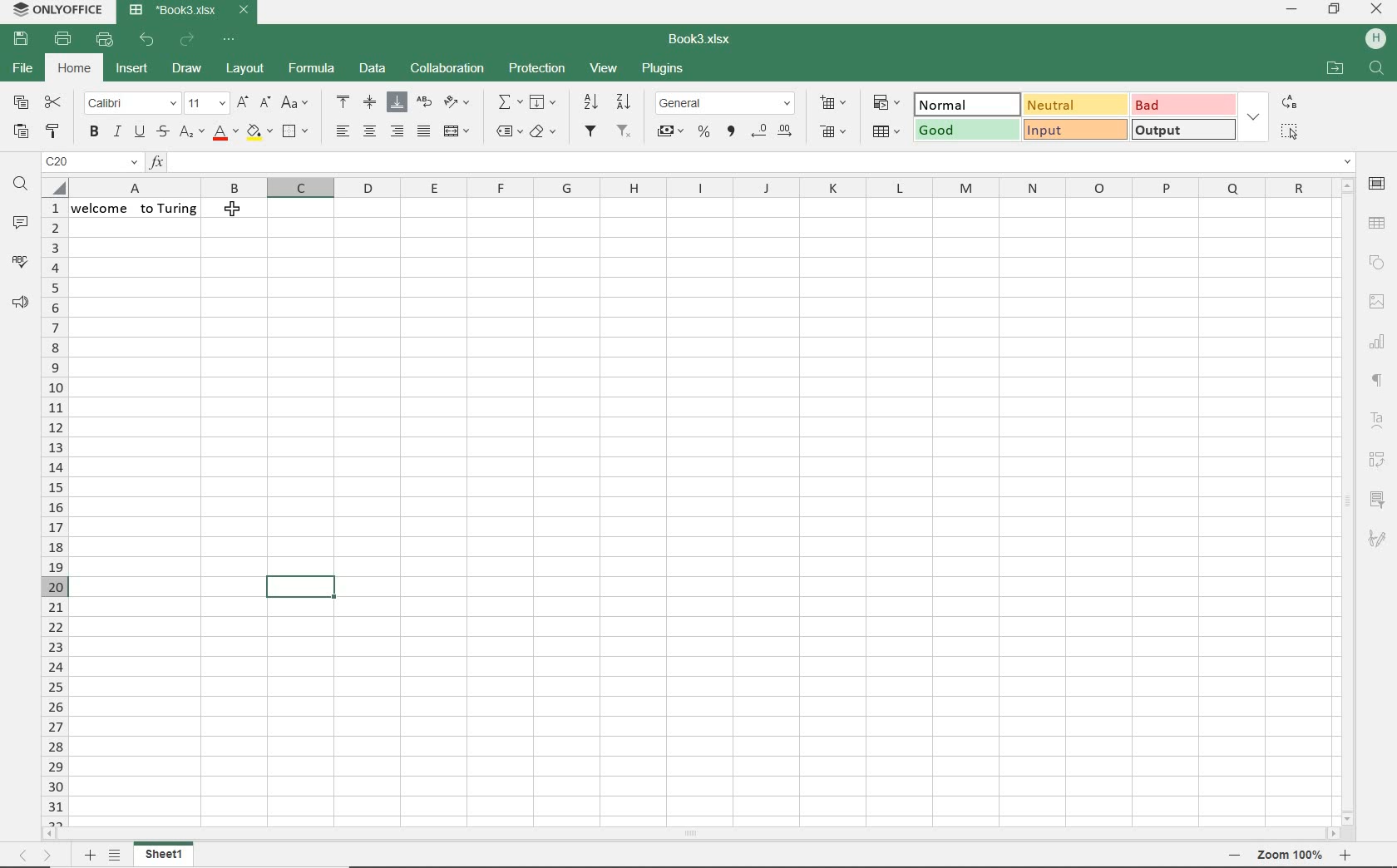  Describe the element at coordinates (1378, 38) in the screenshot. I see `HP` at that location.